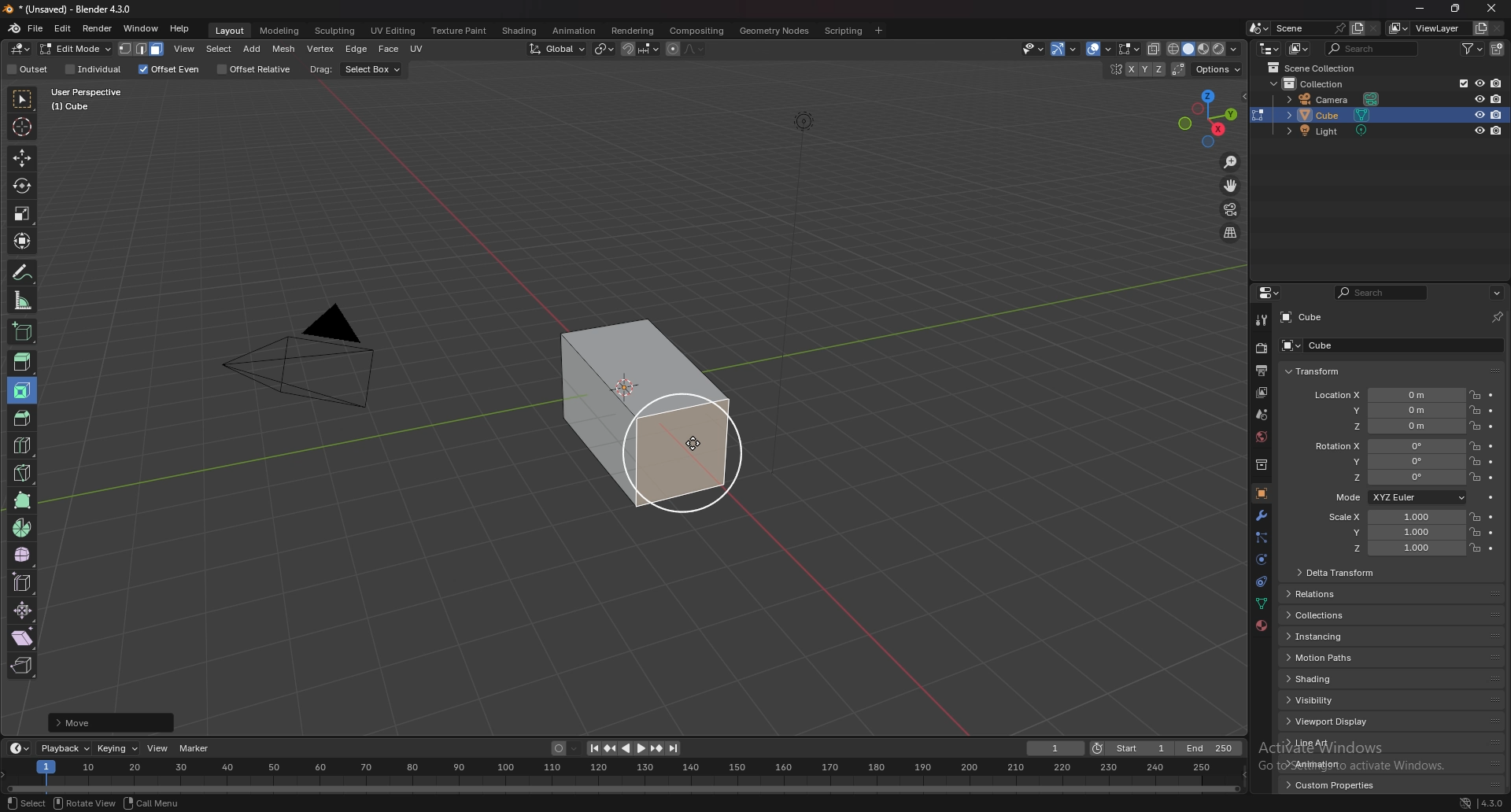 This screenshot has height=812, width=1511. What do you see at coordinates (1332, 722) in the screenshot?
I see `viewport display` at bounding box center [1332, 722].